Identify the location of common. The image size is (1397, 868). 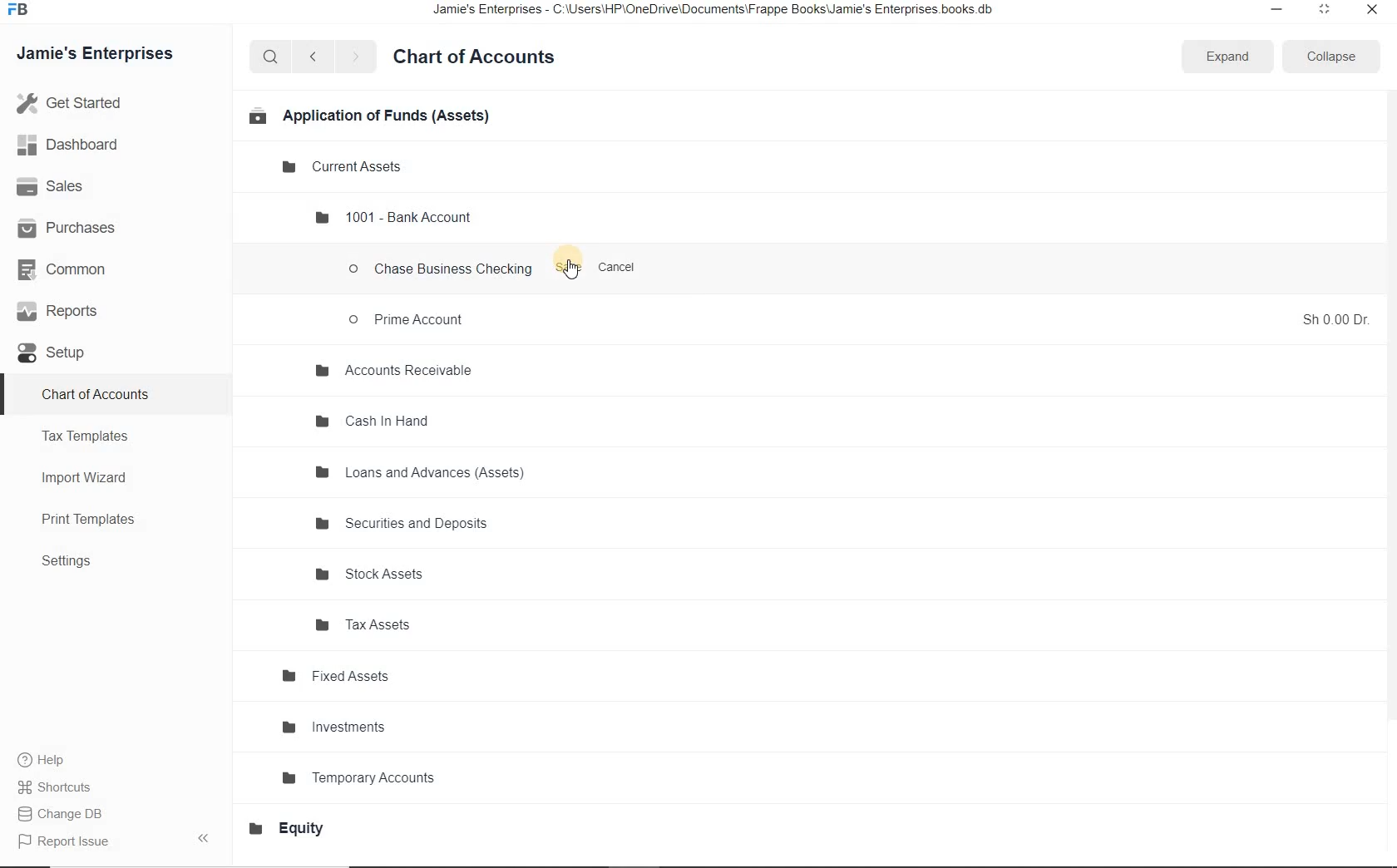
(77, 272).